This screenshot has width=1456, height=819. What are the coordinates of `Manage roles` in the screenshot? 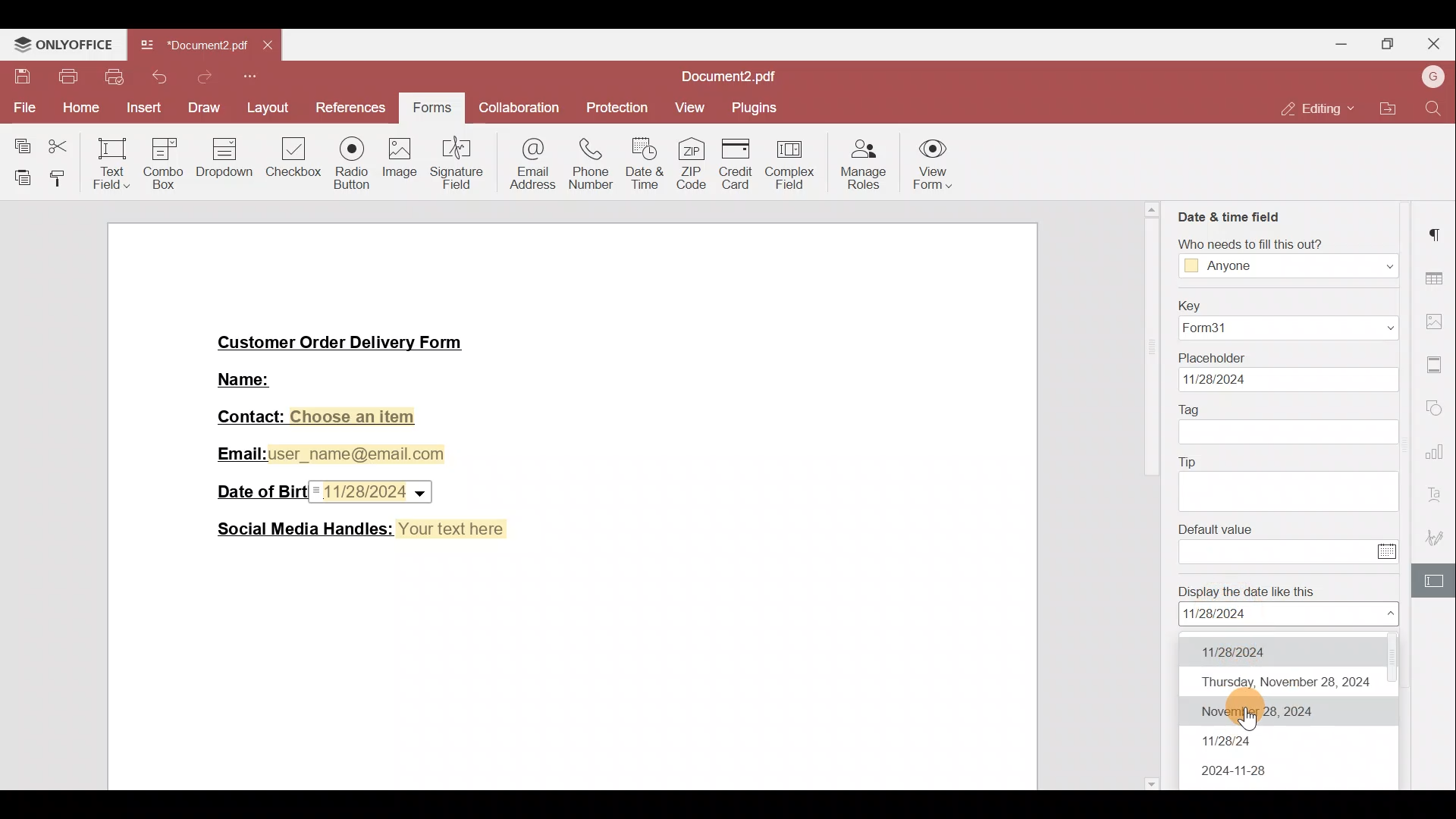 It's located at (864, 167).